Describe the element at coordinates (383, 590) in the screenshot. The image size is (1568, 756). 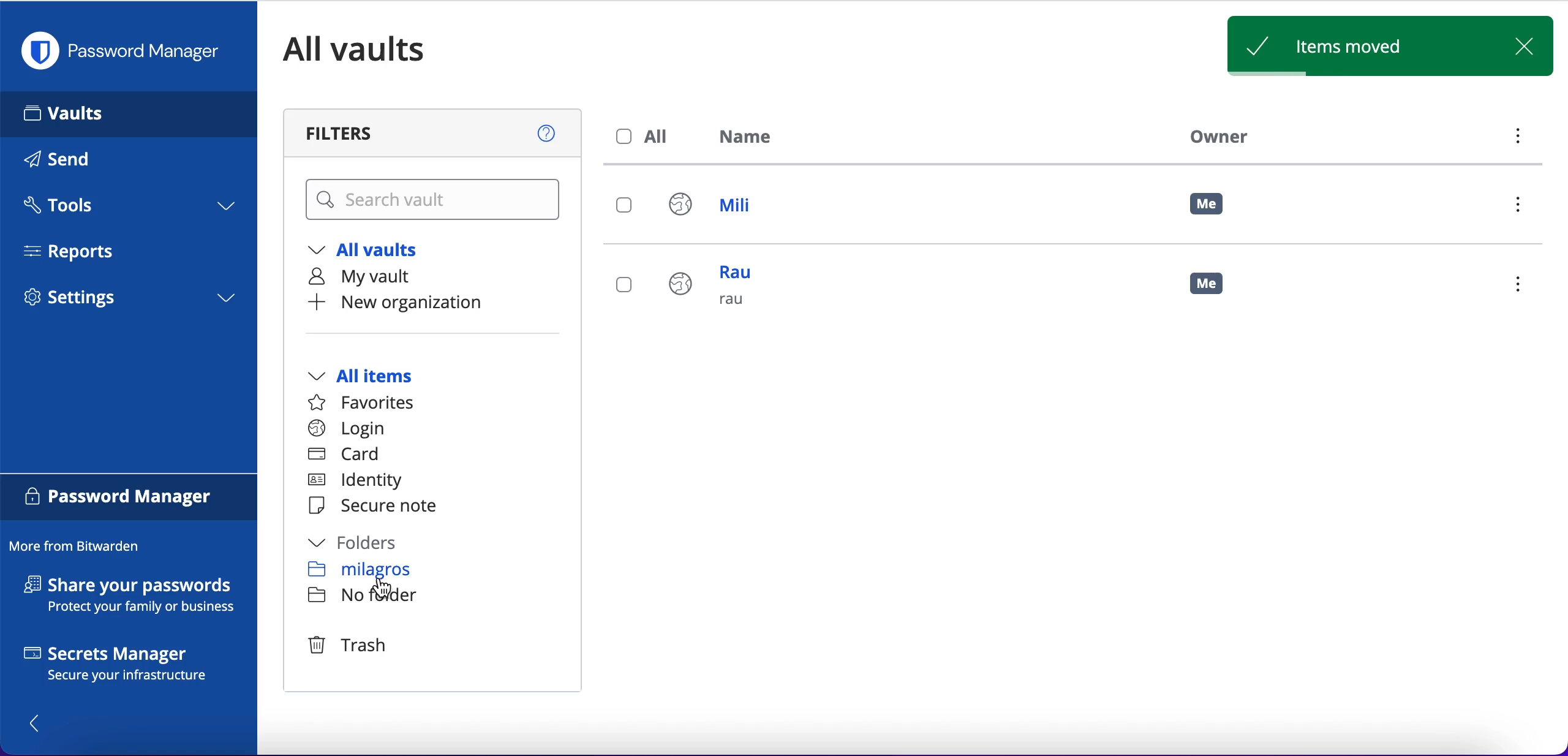
I see `cursor` at that location.